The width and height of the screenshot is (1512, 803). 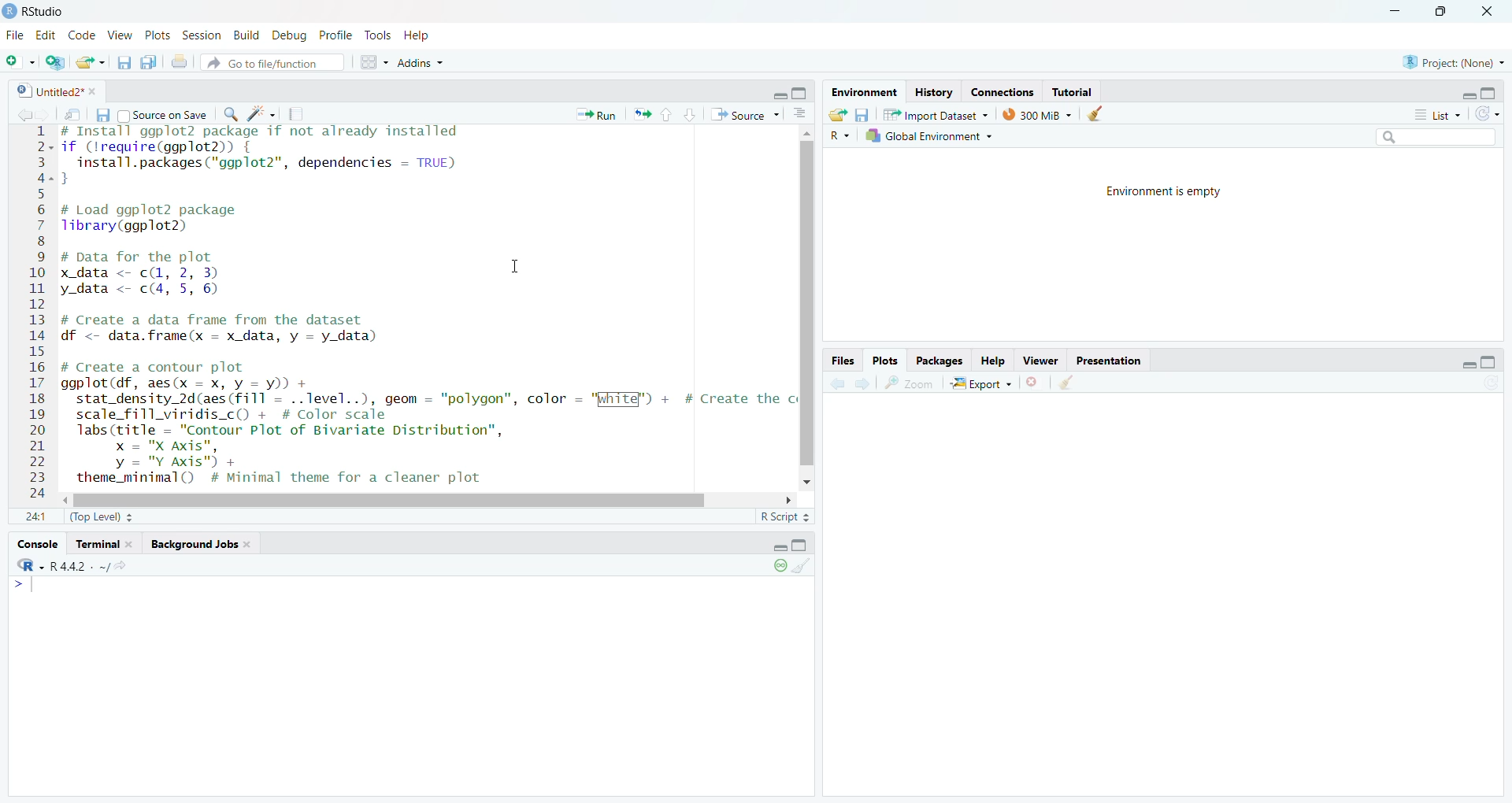 I want to click on hide console, so click(x=800, y=94).